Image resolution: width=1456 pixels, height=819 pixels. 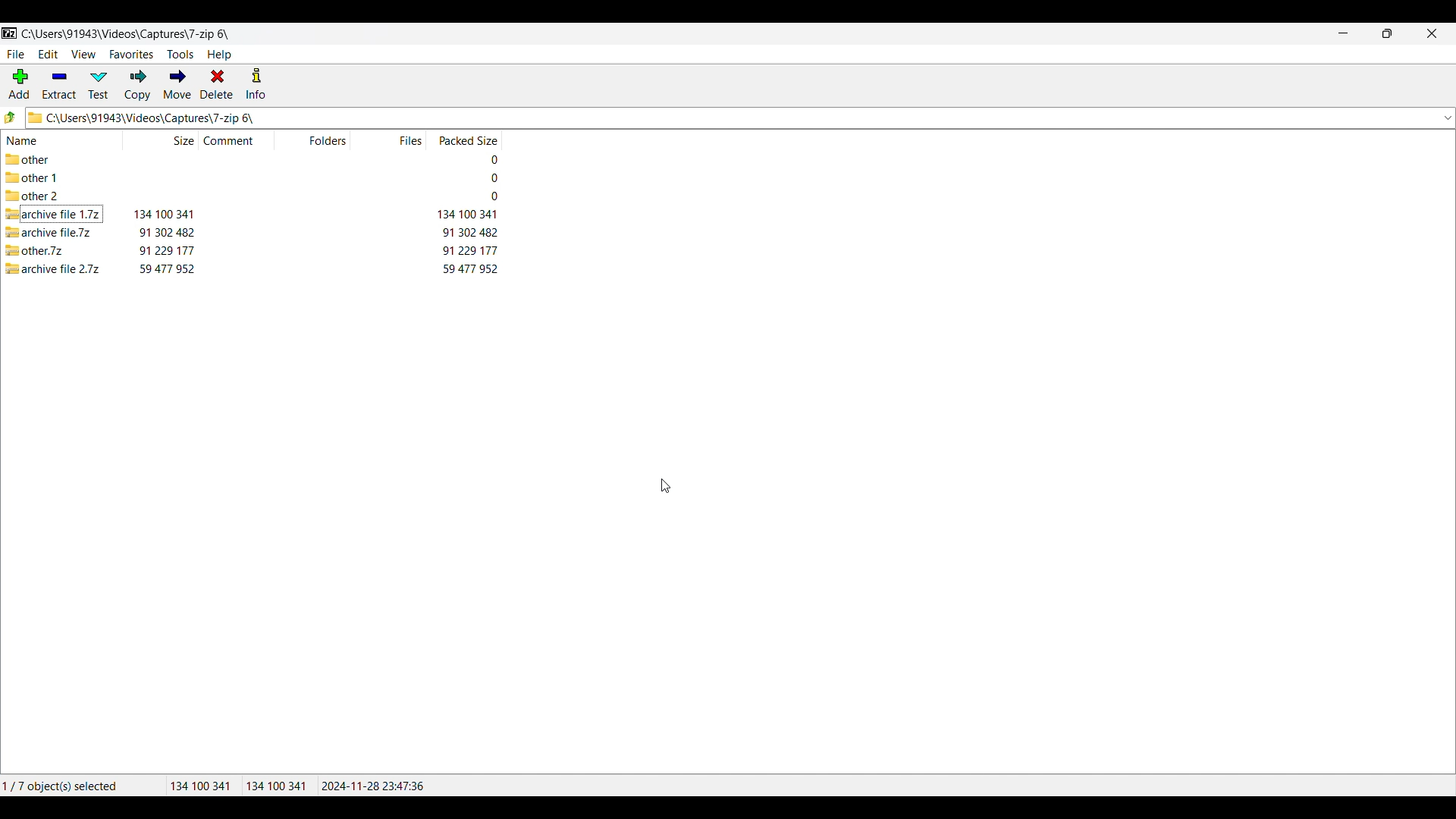 I want to click on Cursor position unchanged, so click(x=667, y=485).